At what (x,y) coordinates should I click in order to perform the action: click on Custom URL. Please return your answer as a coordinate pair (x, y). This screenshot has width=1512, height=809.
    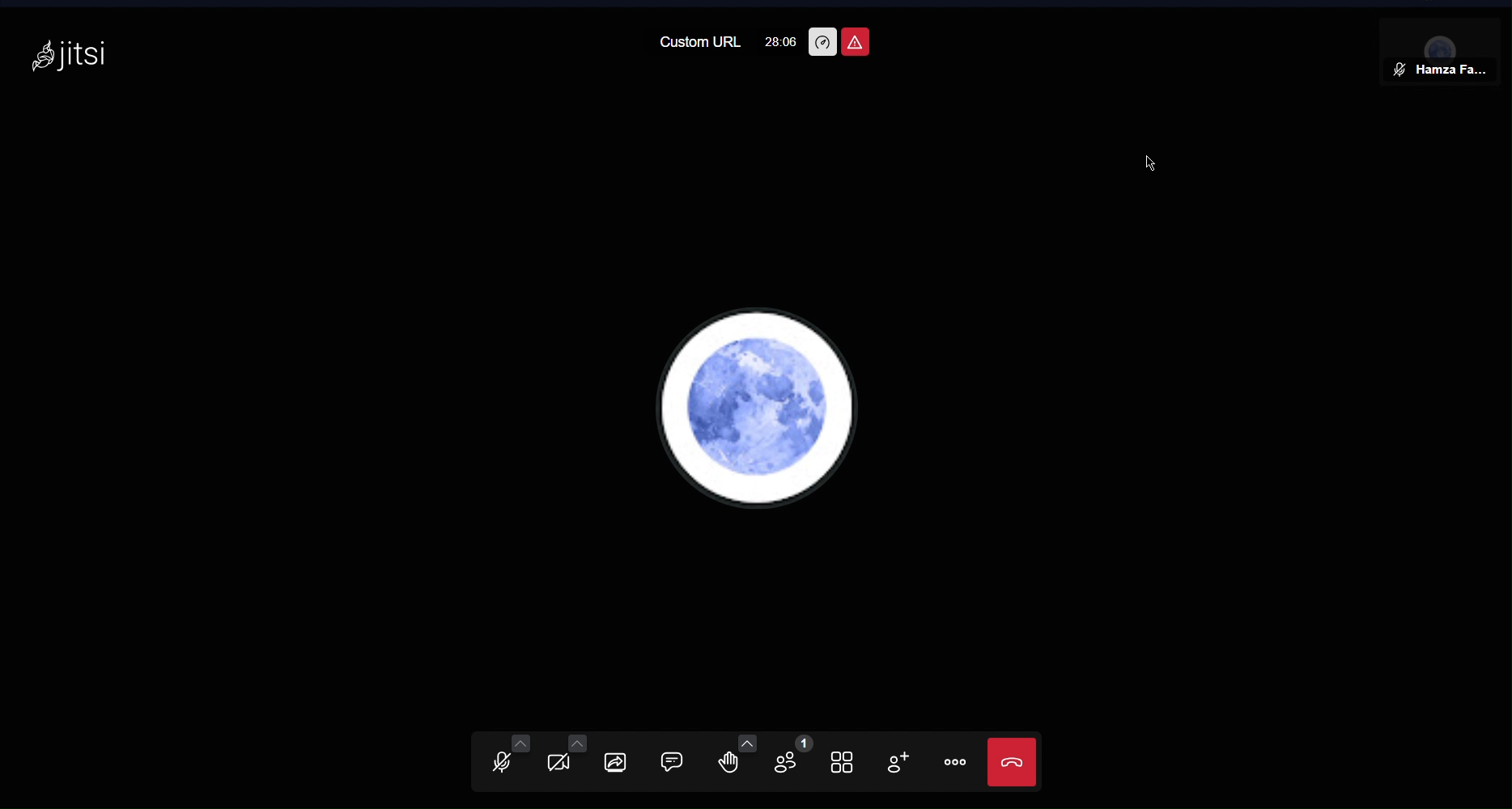
    Looking at the image, I should click on (699, 44).